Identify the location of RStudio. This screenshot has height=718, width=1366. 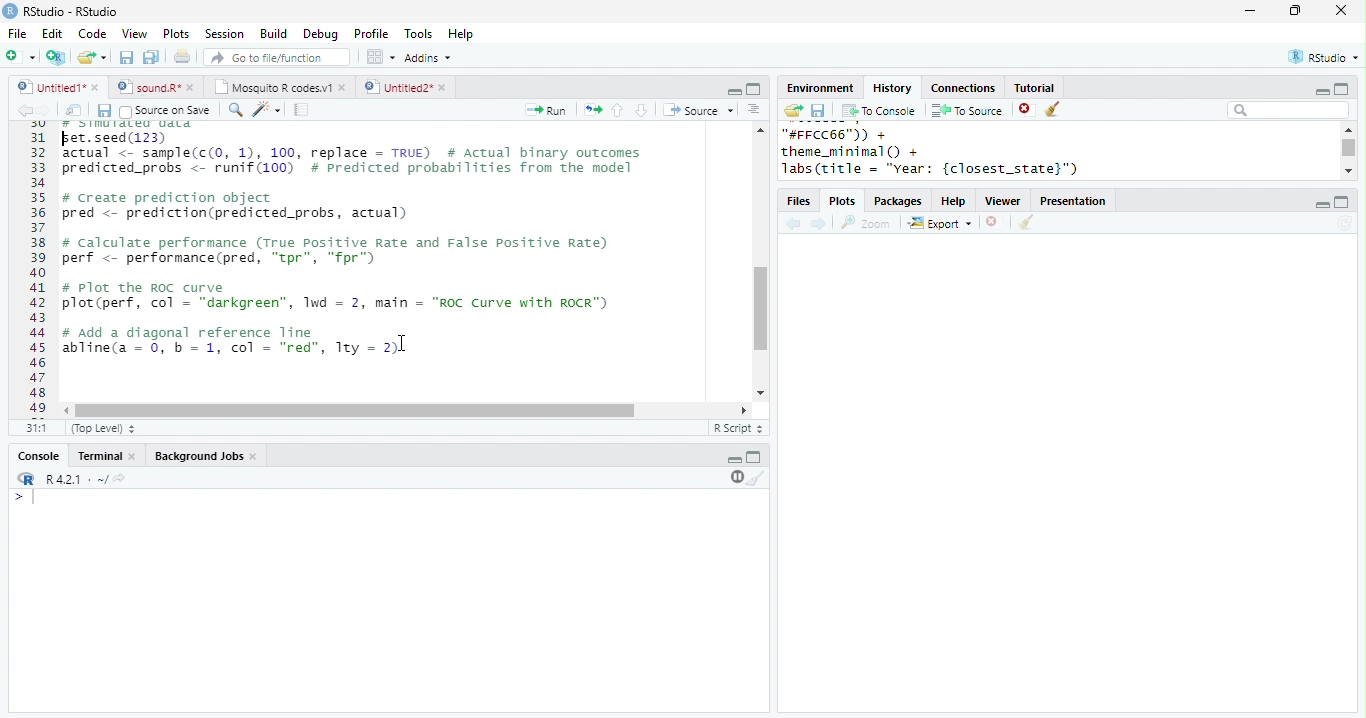
(1326, 56).